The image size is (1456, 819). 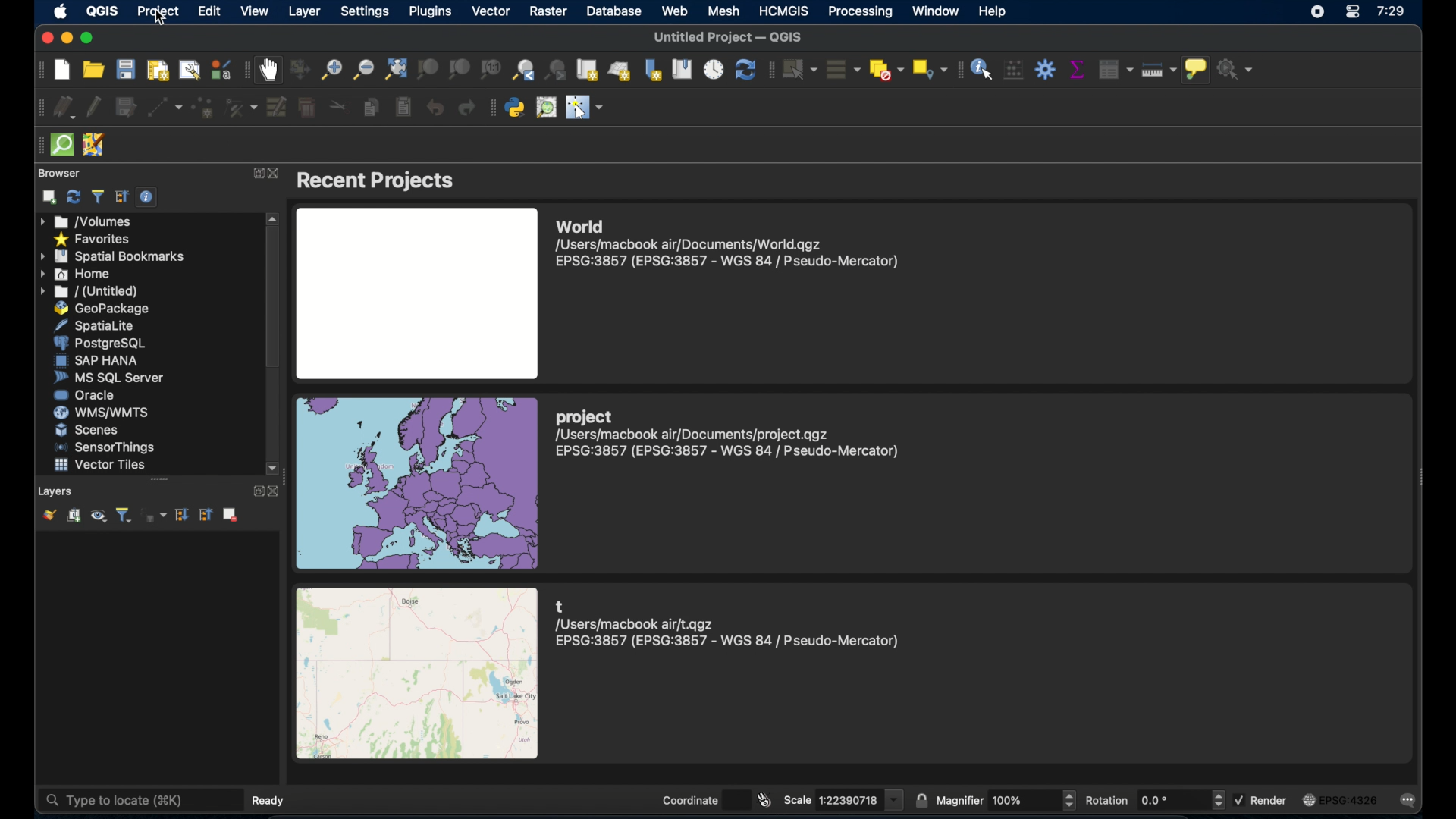 What do you see at coordinates (58, 173) in the screenshot?
I see `browser` at bounding box center [58, 173].